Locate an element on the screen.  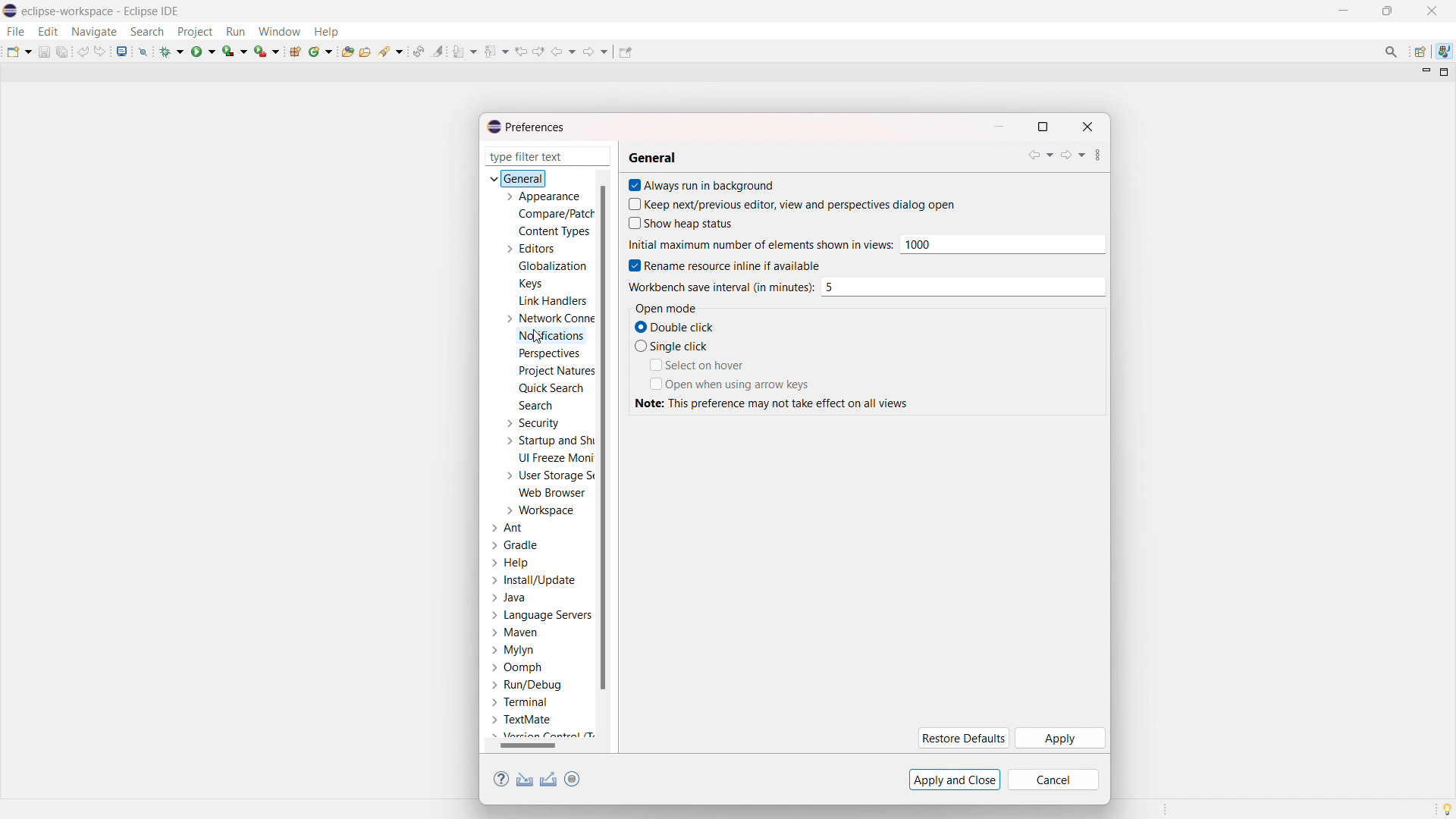
textmate is located at coordinates (523, 719).